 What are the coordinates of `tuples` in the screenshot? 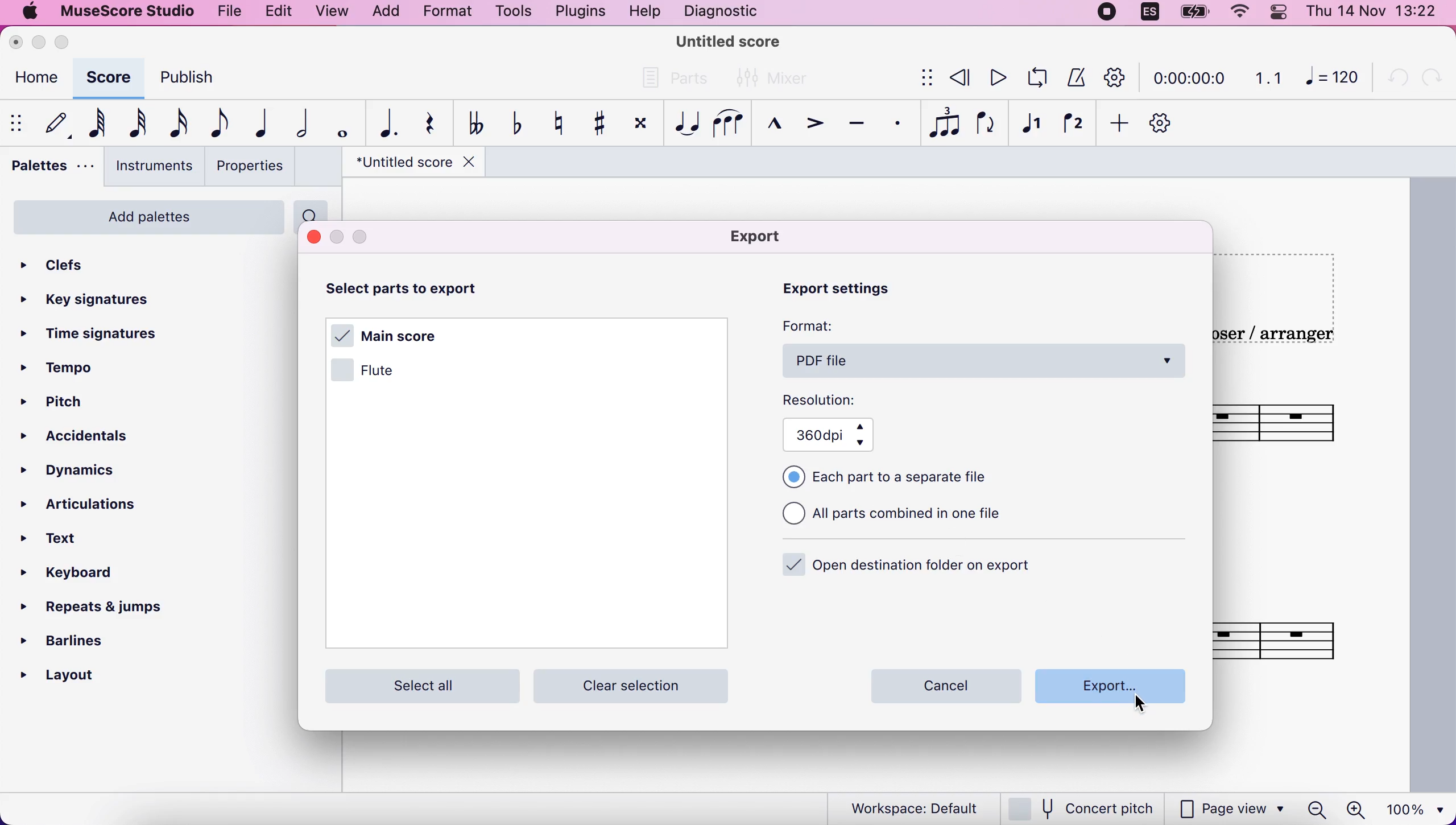 It's located at (941, 124).